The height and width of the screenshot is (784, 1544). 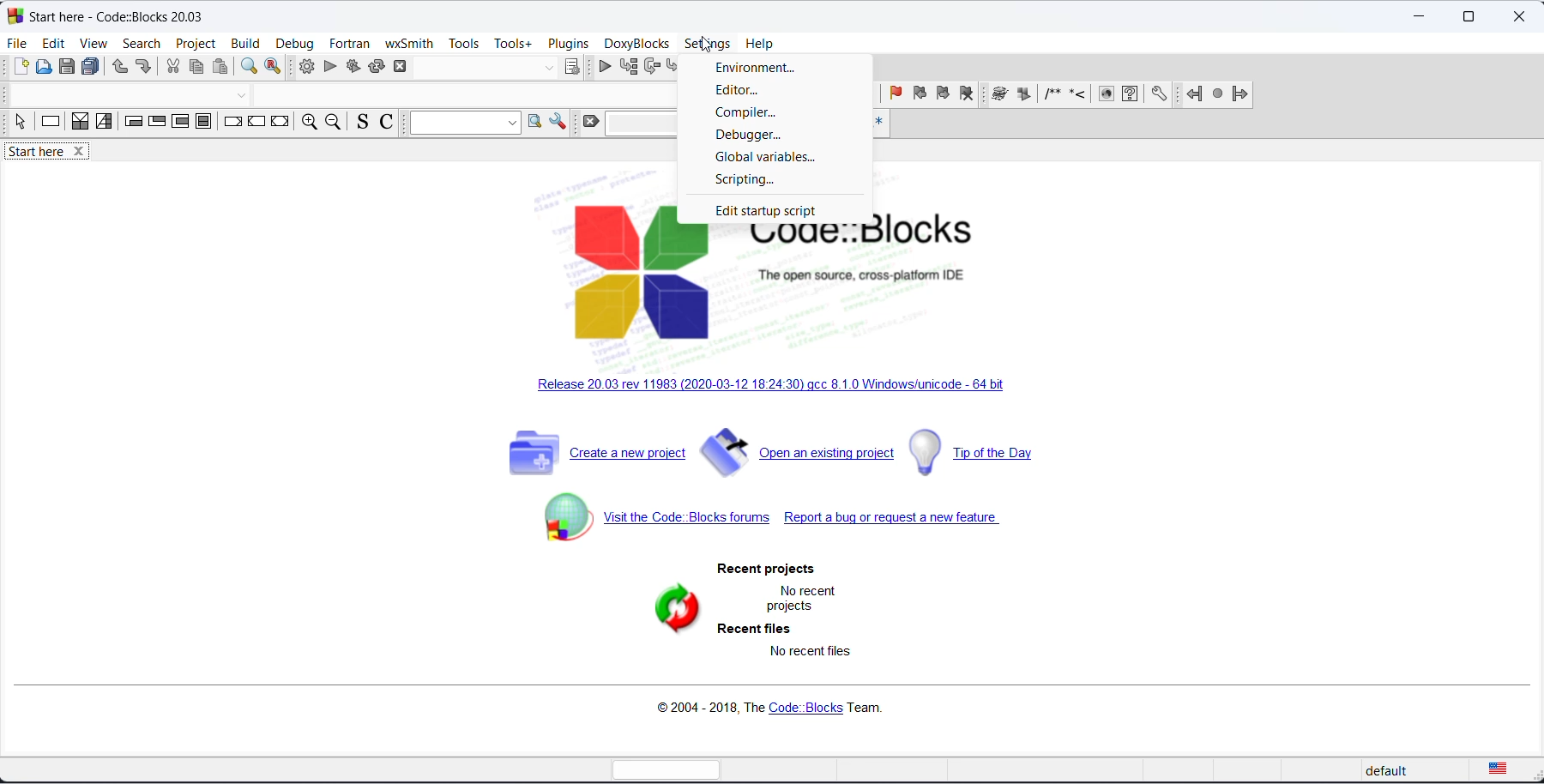 I want to click on tools+, so click(x=513, y=45).